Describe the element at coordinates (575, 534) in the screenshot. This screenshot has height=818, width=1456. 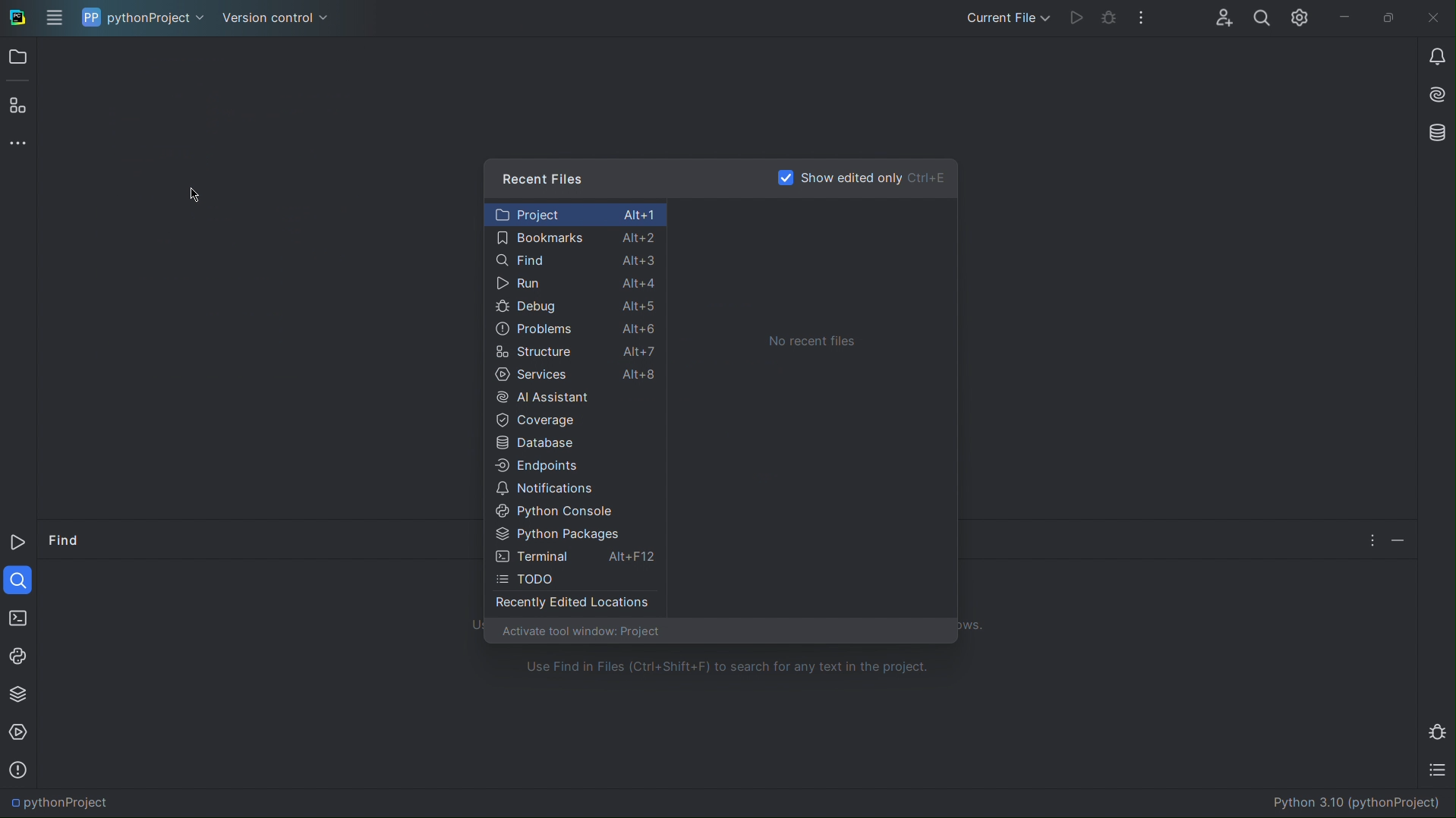
I see `Python Packages` at that location.